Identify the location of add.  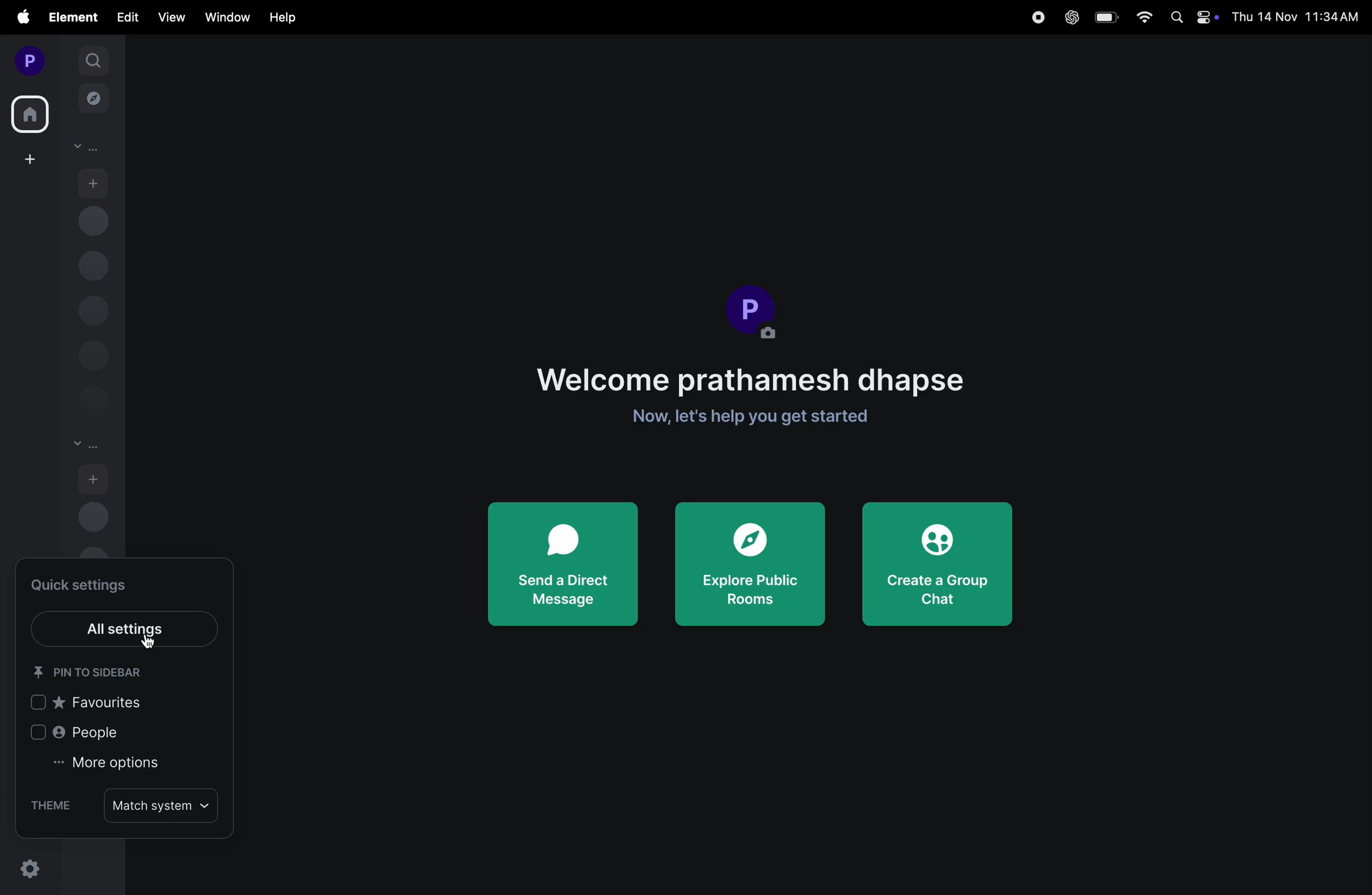
(94, 182).